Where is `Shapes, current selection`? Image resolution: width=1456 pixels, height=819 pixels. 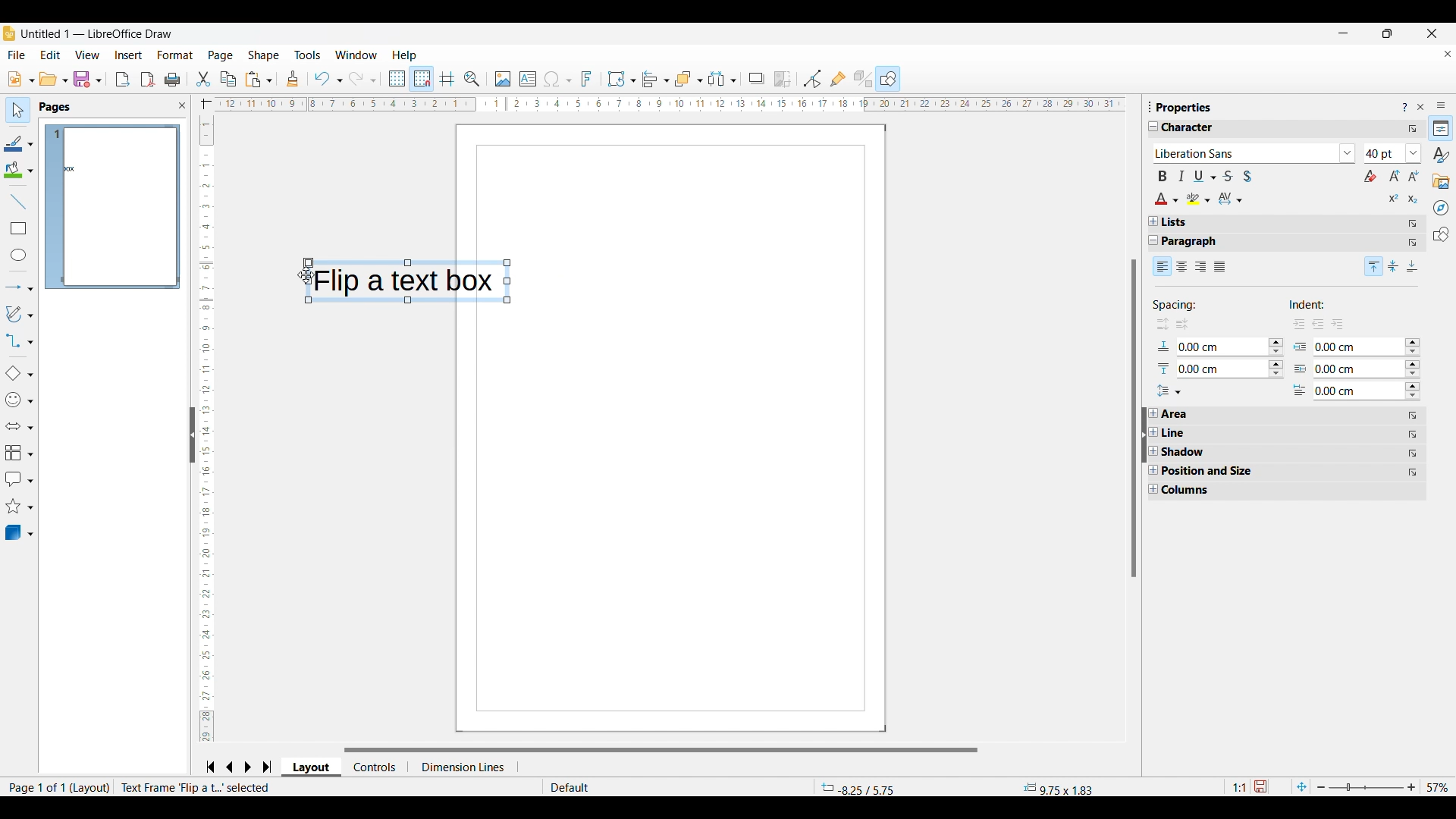
Shapes, current selection is located at coordinates (888, 79).